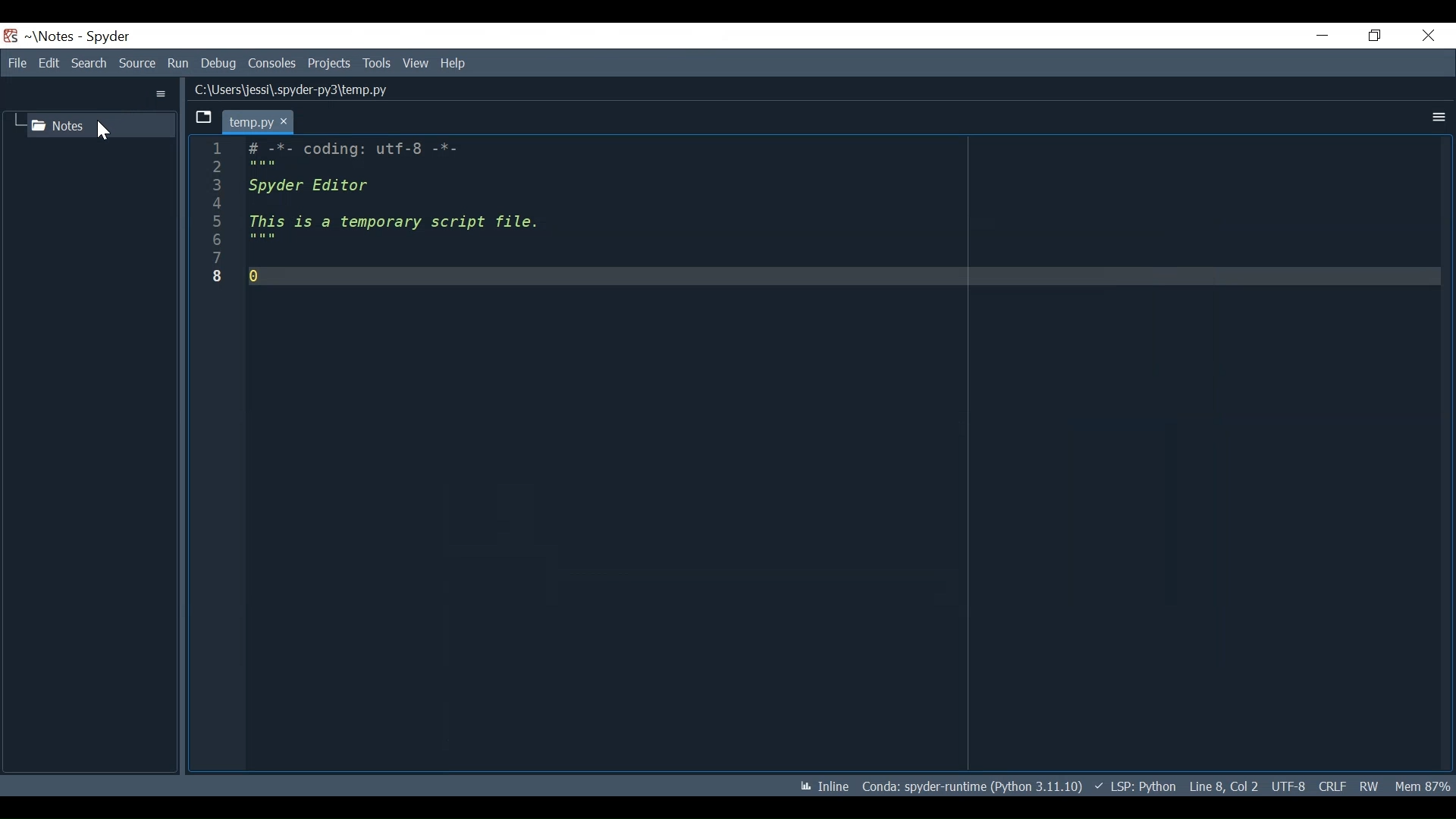 The height and width of the screenshot is (819, 1456). I want to click on  4, so click(213, 202).